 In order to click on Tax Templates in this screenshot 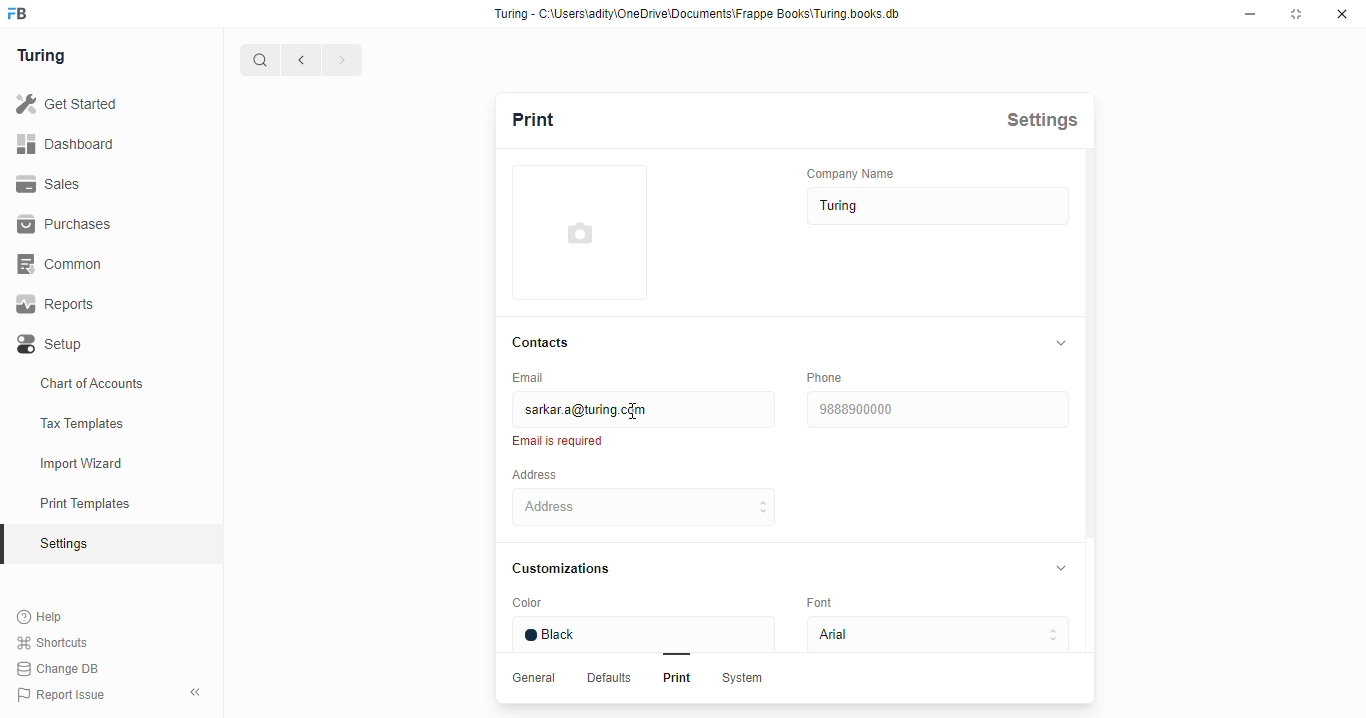, I will do `click(110, 424)`.